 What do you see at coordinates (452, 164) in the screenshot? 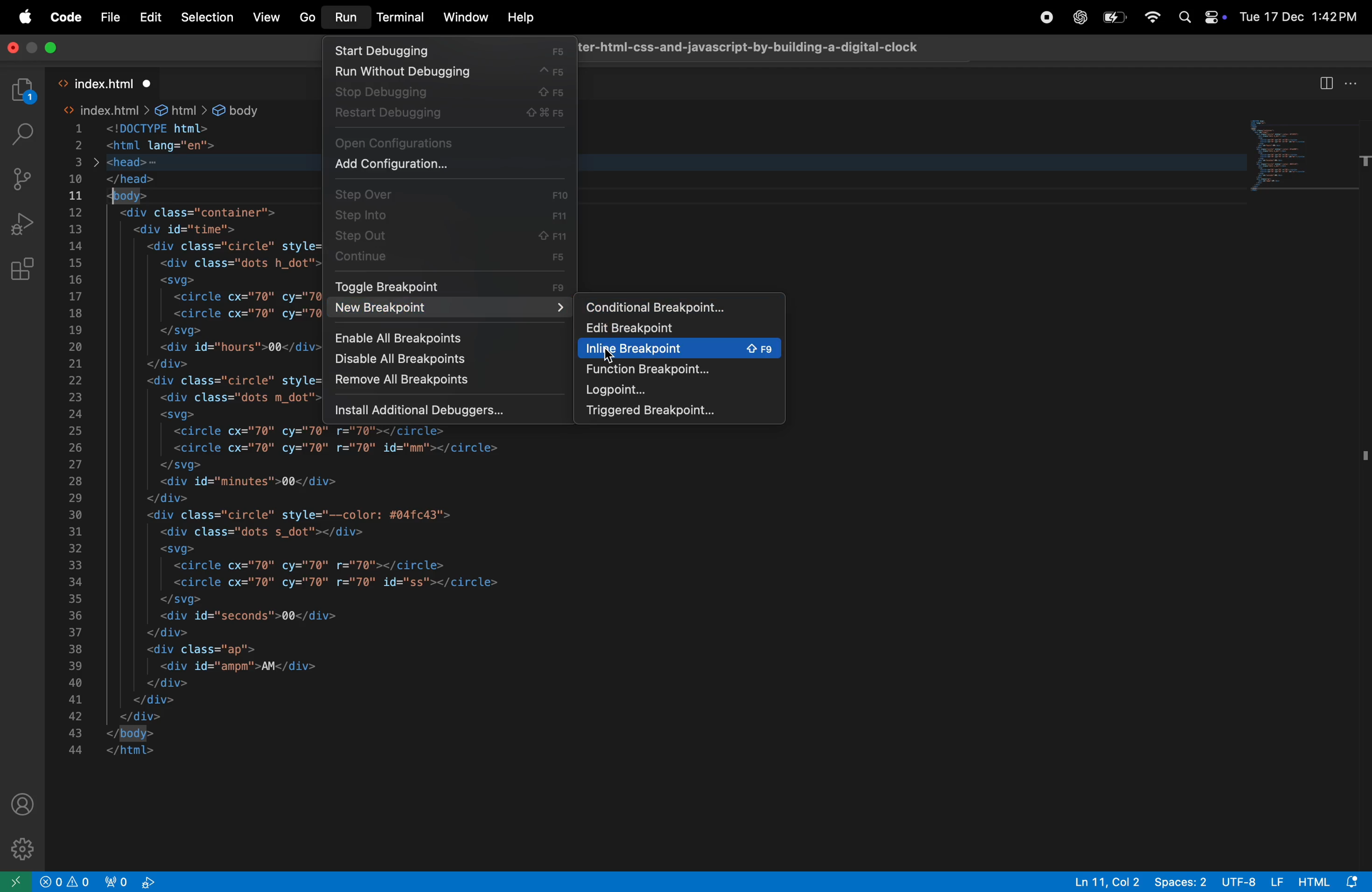
I see `add configuration` at bounding box center [452, 164].